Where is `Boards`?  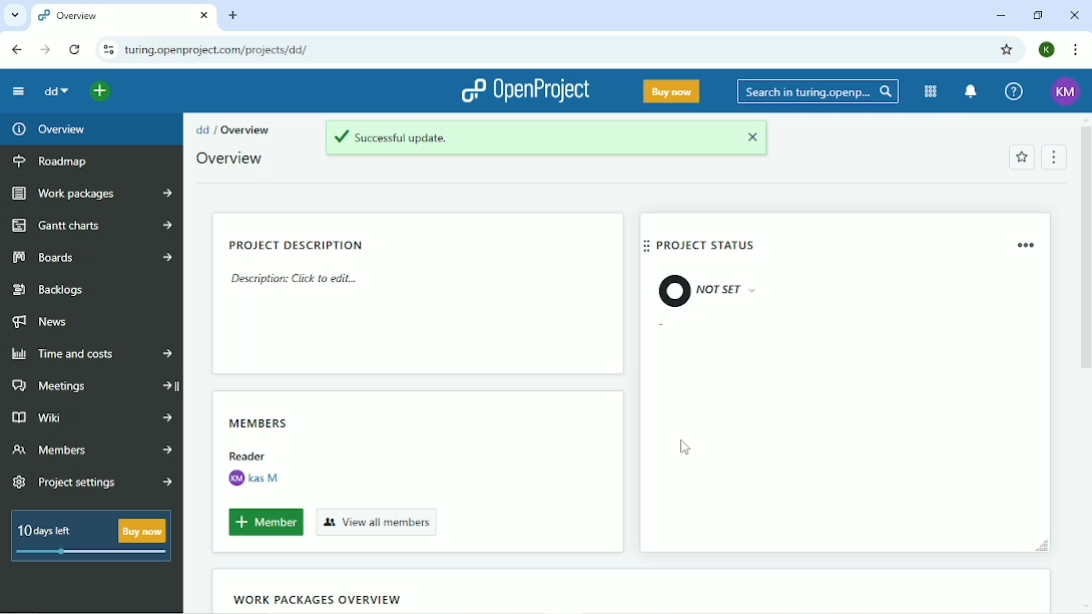
Boards is located at coordinates (93, 258).